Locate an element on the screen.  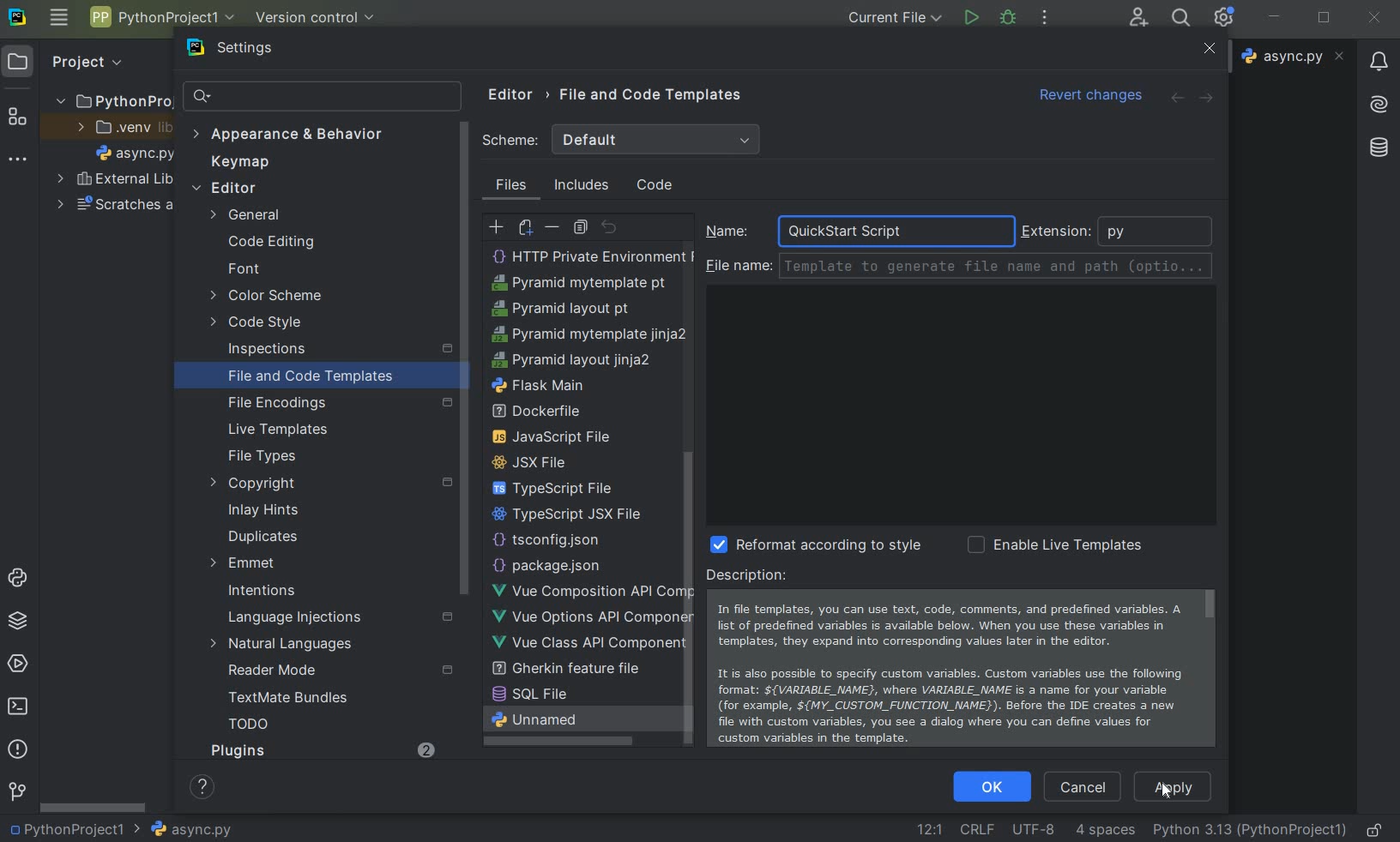
python script is located at coordinates (572, 360).